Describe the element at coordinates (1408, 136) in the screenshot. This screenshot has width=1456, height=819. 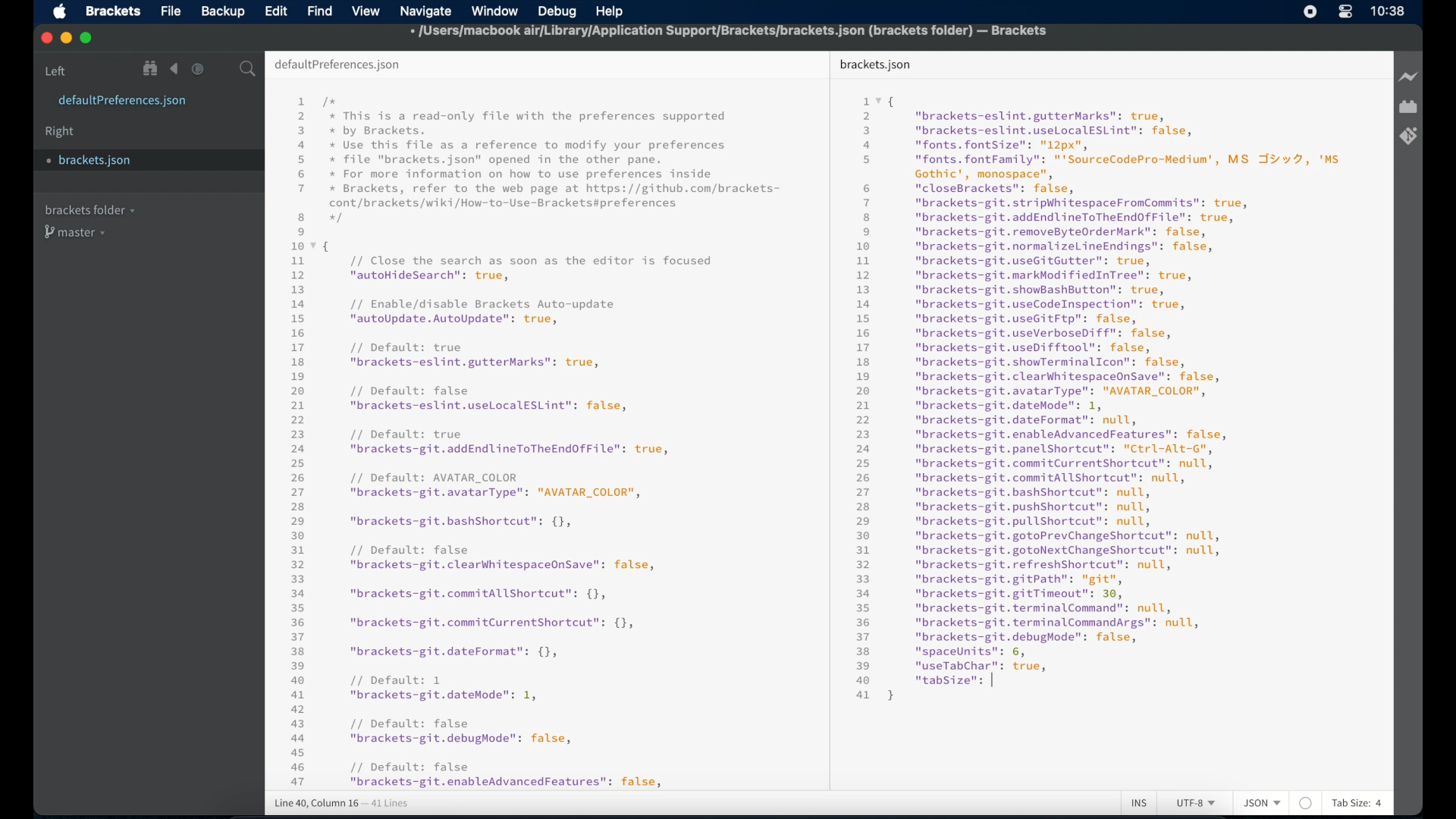
I see `brackets  git extension` at that location.